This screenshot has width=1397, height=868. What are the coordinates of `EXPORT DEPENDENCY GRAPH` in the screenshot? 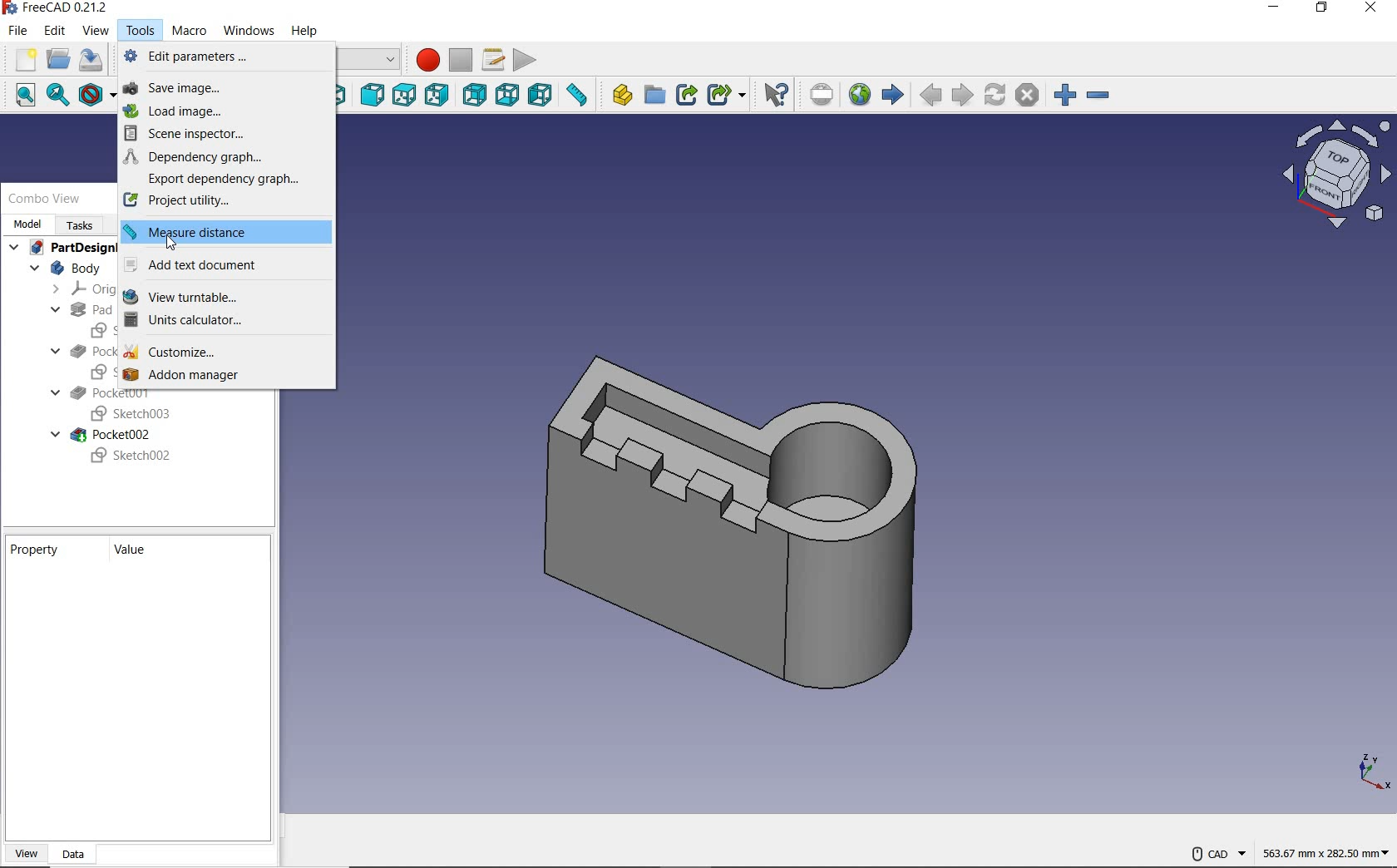 It's located at (223, 180).